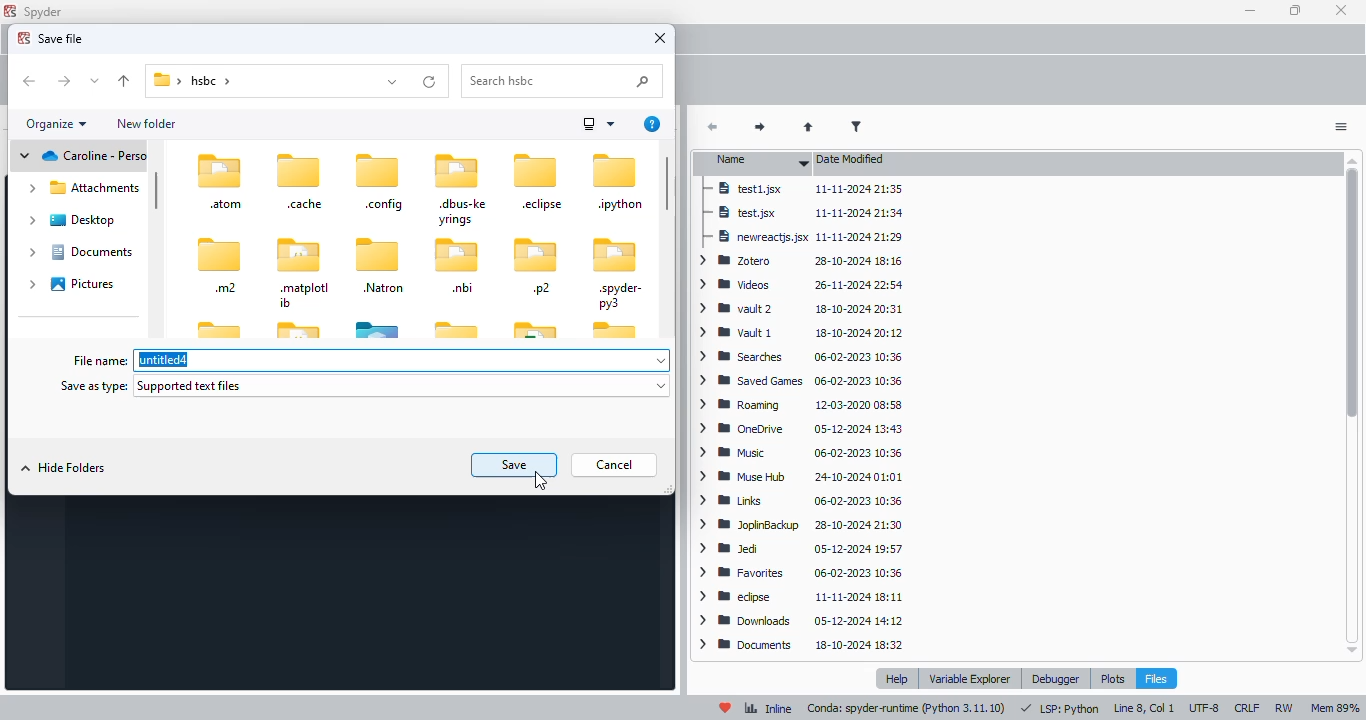 The image size is (1366, 720). Describe the element at coordinates (63, 39) in the screenshot. I see `save file` at that location.